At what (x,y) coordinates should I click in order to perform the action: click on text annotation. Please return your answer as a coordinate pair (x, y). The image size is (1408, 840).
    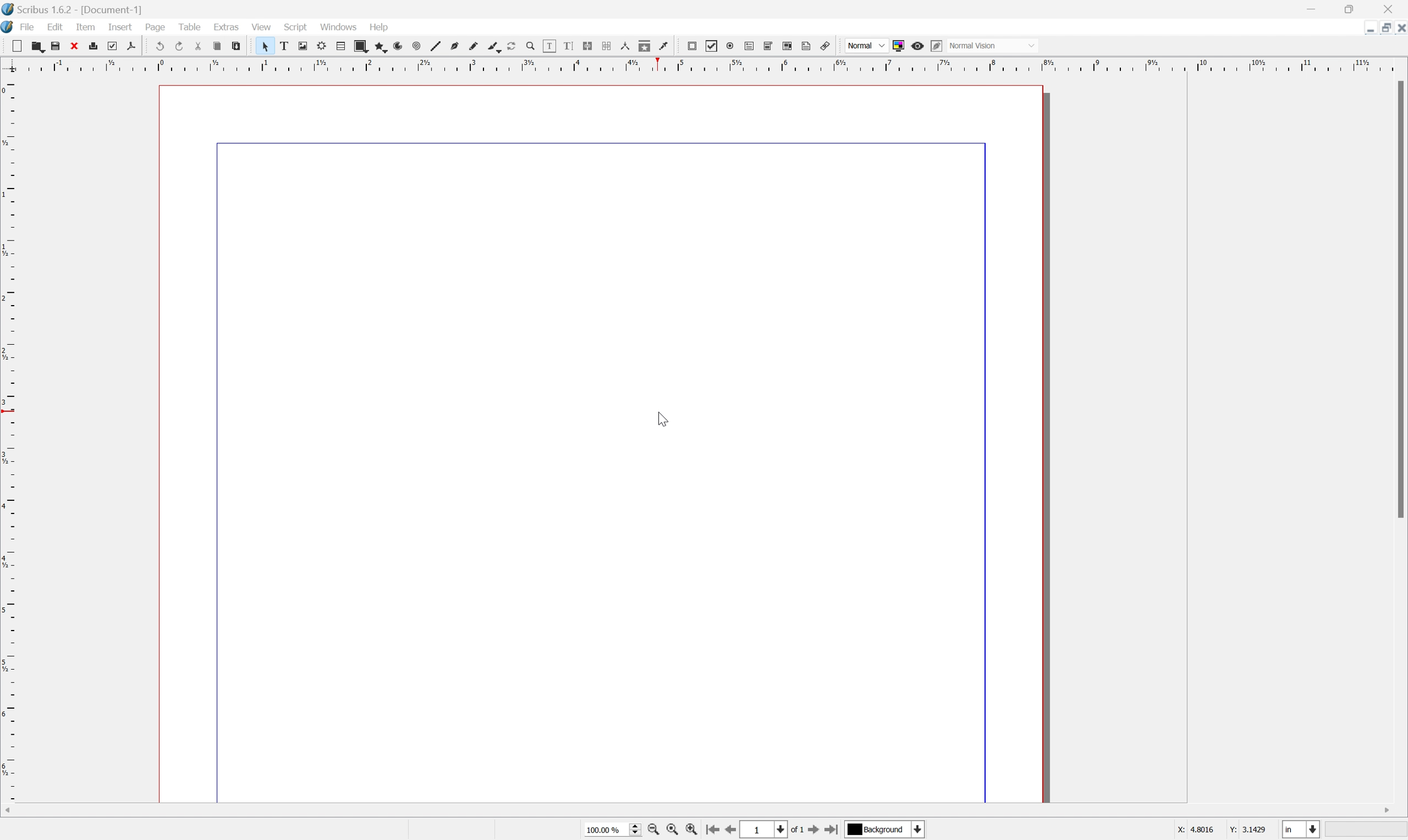
    Looking at the image, I should click on (807, 45).